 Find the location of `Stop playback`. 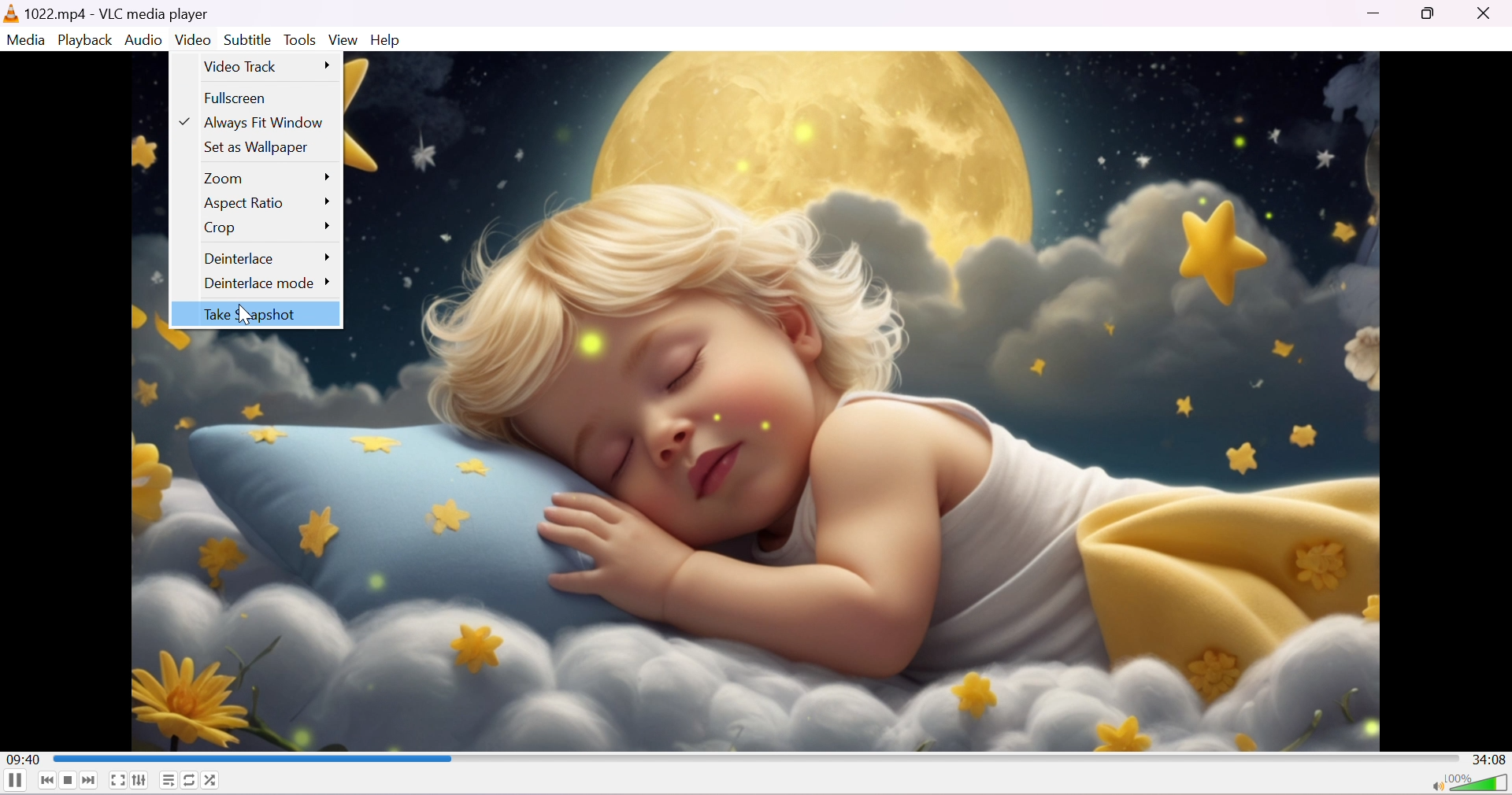

Stop playback is located at coordinates (69, 780).